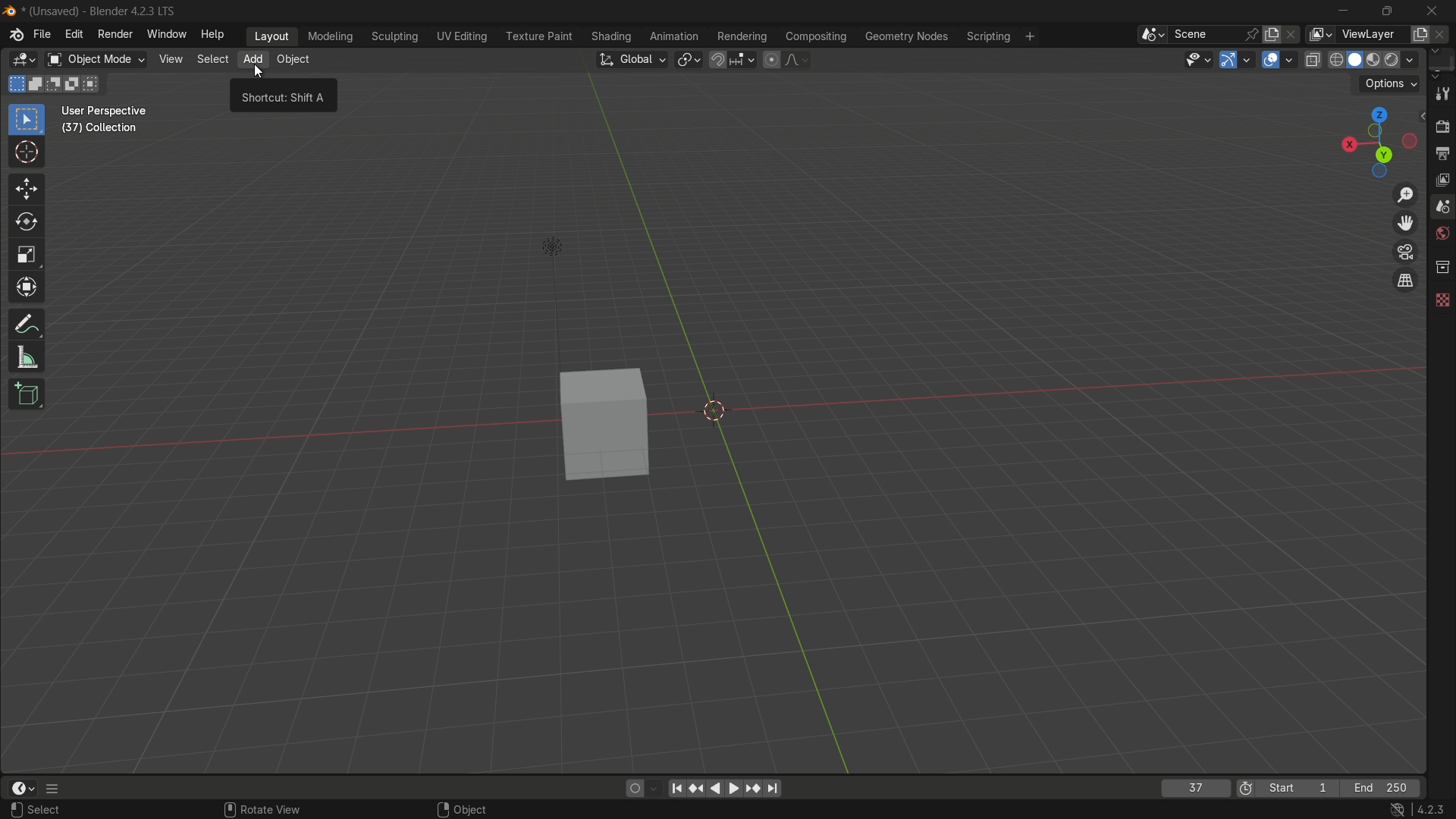  I want to click on annotate, so click(27, 325).